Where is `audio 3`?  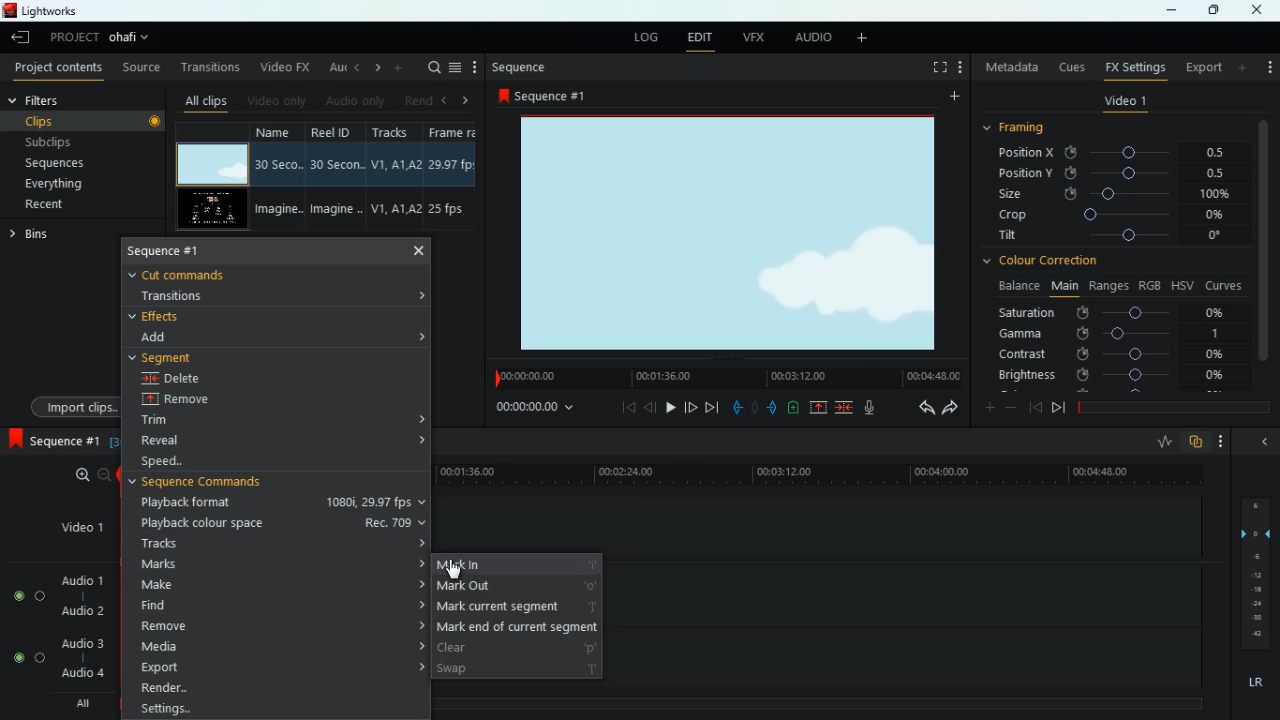 audio 3 is located at coordinates (77, 642).